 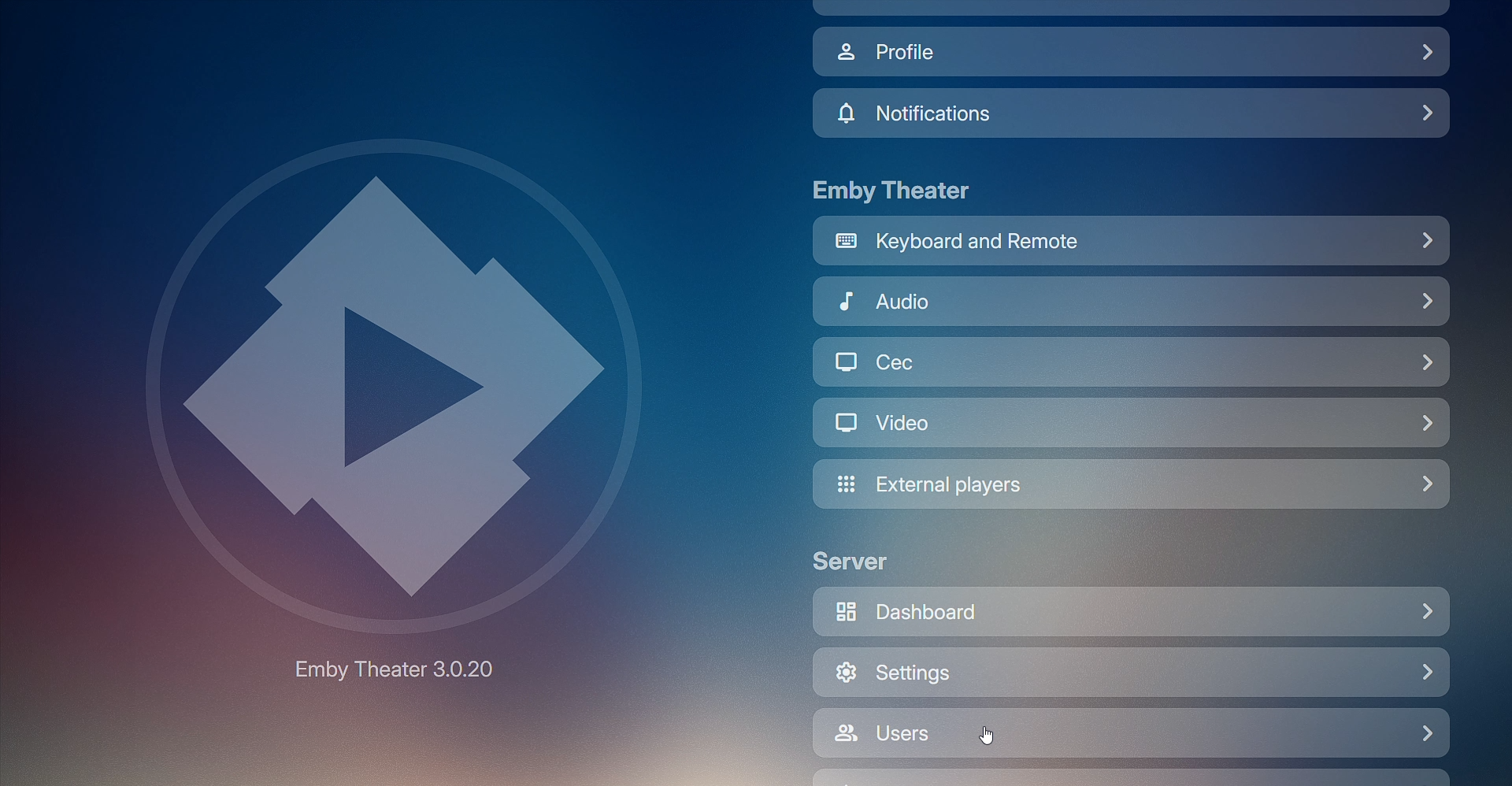 I want to click on Emby Theater 3.0.20, so click(x=403, y=668).